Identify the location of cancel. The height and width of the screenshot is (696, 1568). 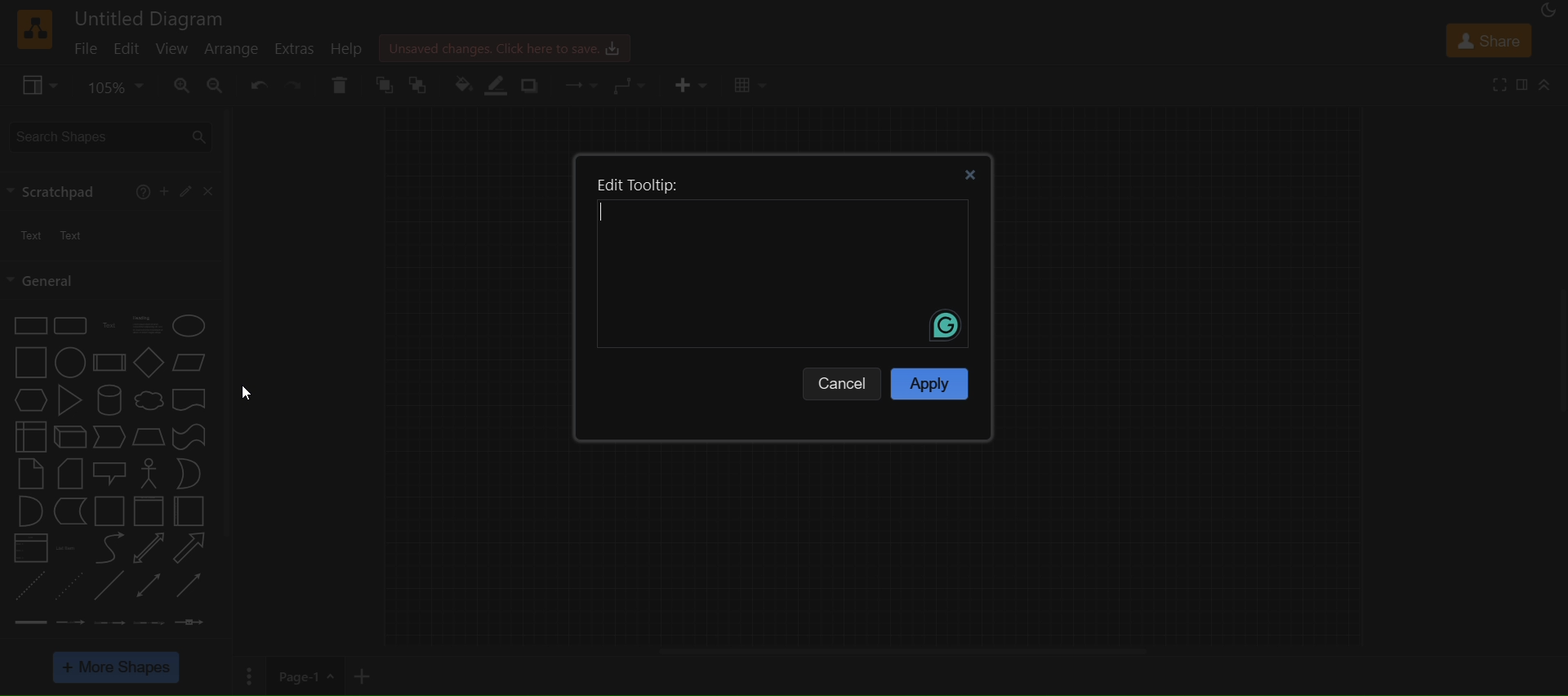
(843, 380).